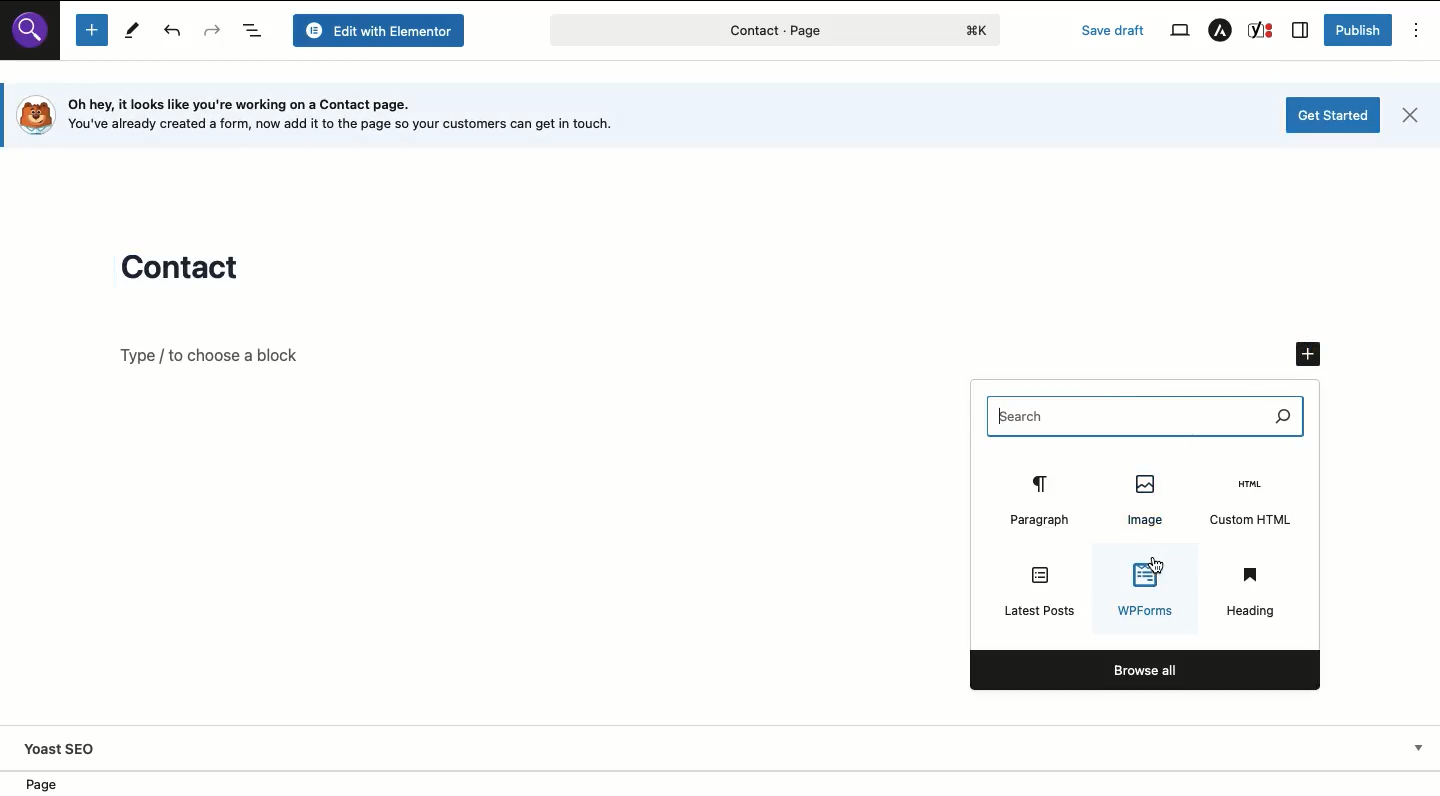  I want to click on Save draft, so click(1115, 31).